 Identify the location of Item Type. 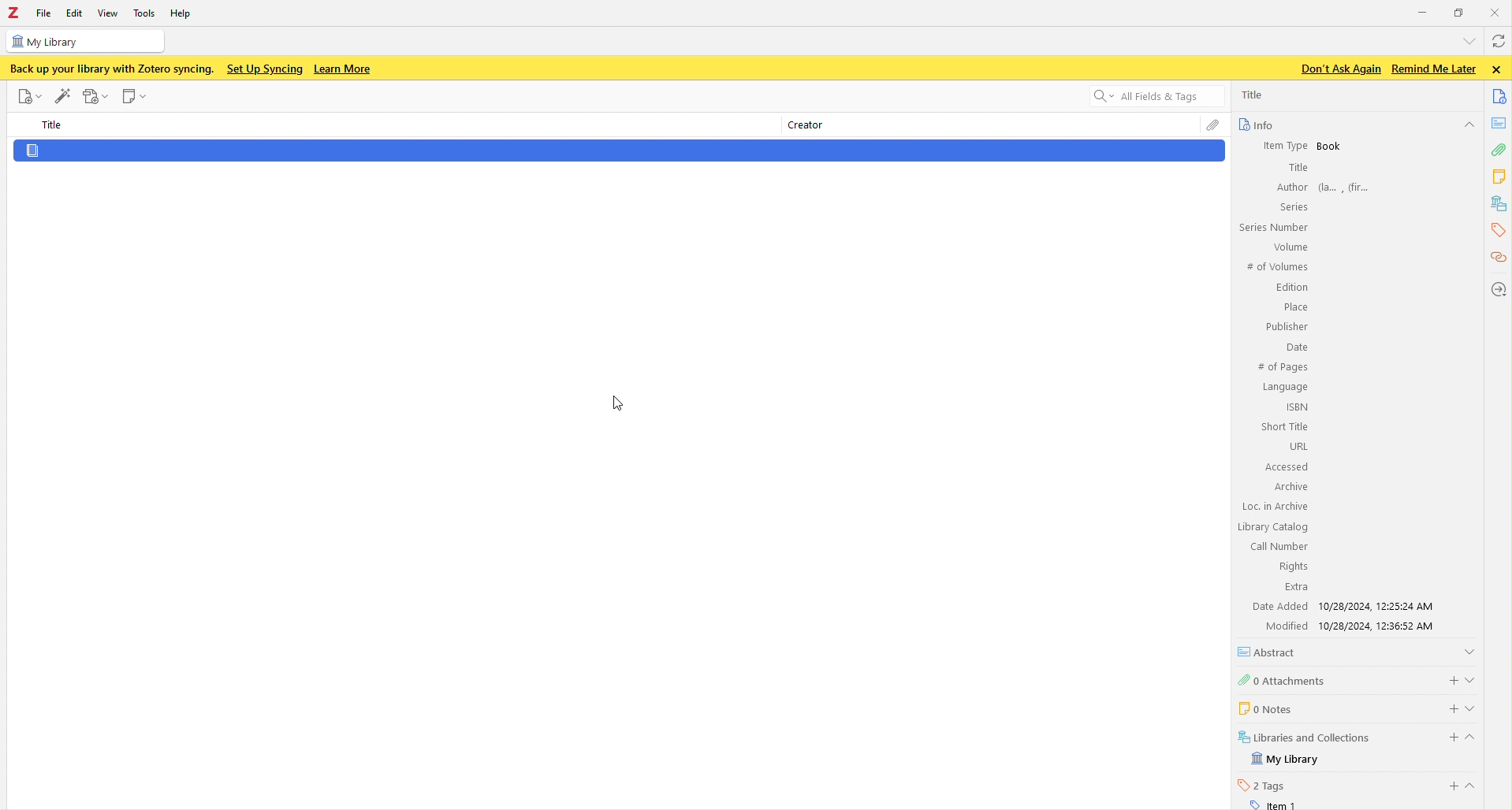
(1278, 145).